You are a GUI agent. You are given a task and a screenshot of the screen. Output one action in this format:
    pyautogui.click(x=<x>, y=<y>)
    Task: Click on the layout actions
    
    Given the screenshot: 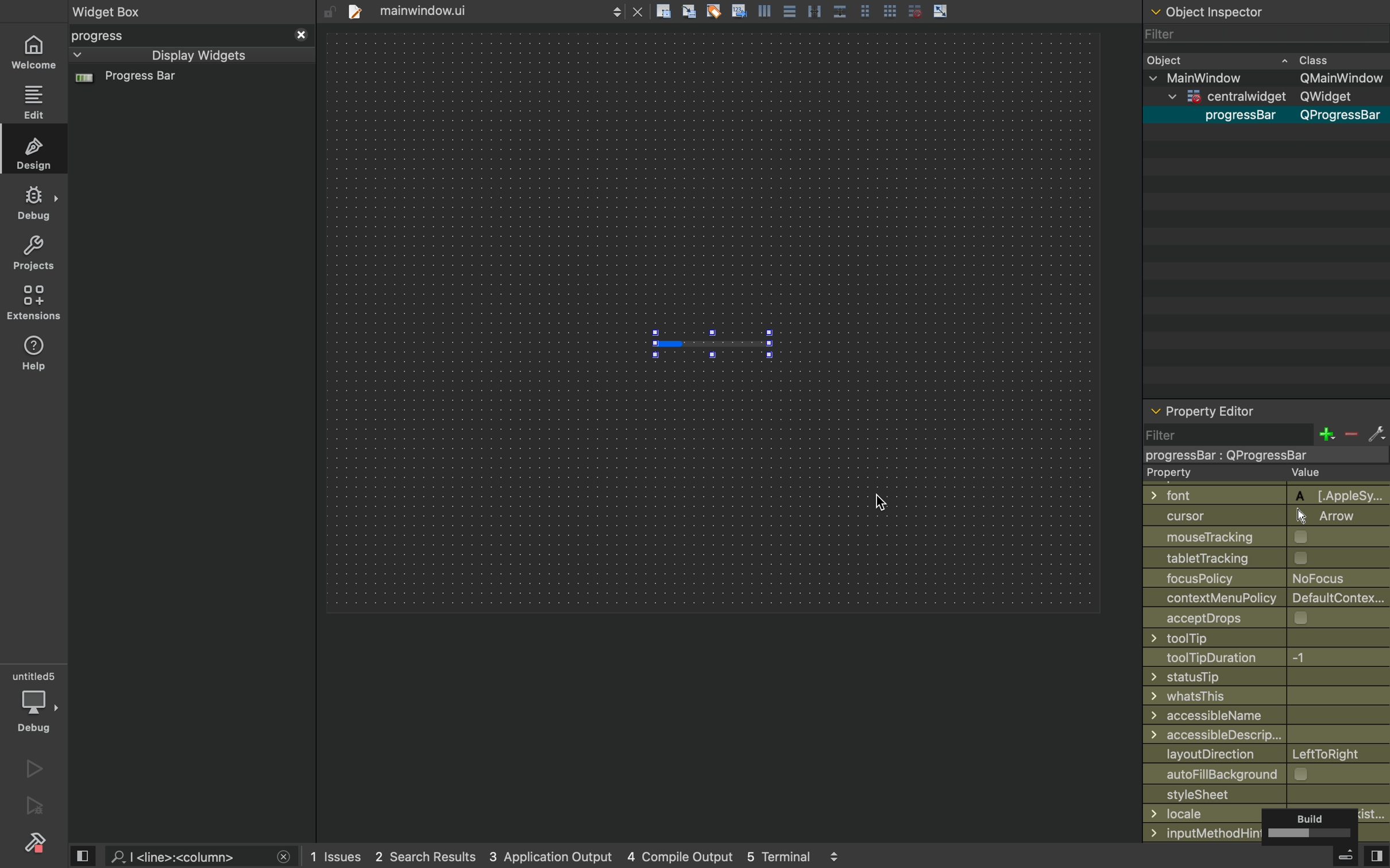 What is the action you would take?
    pyautogui.click(x=856, y=11)
    